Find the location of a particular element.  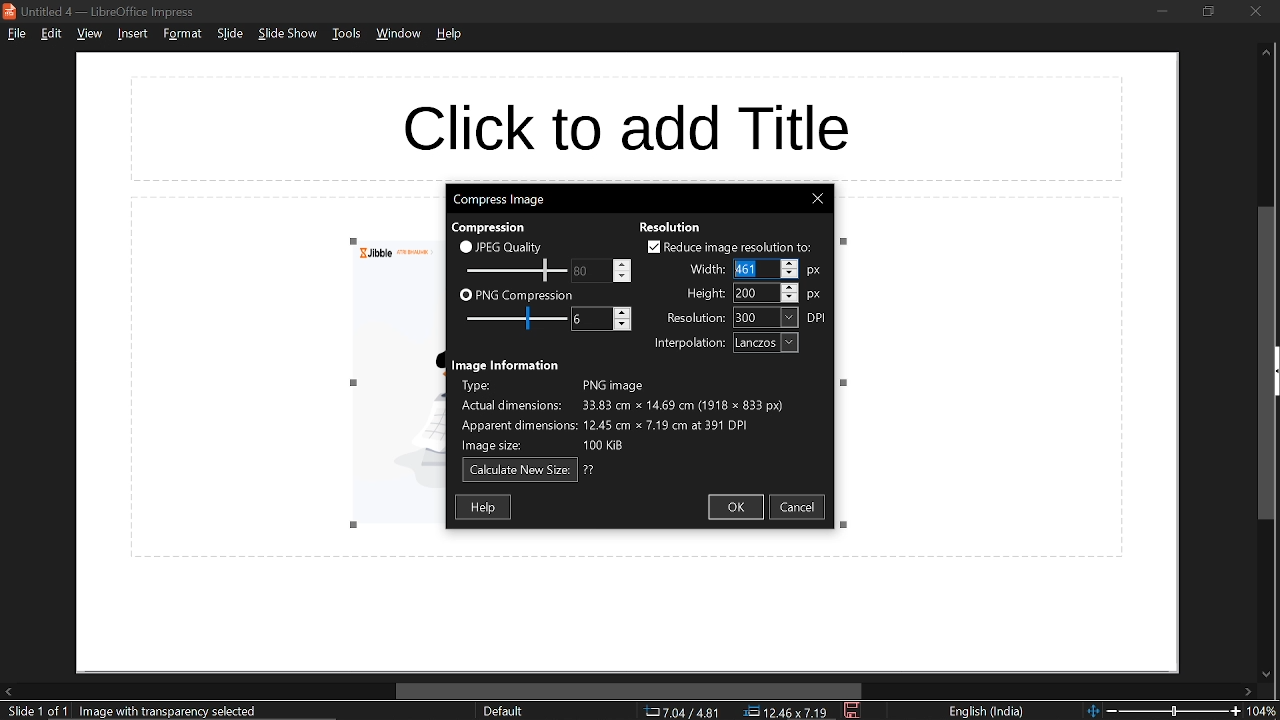

Image information is located at coordinates (641, 414).